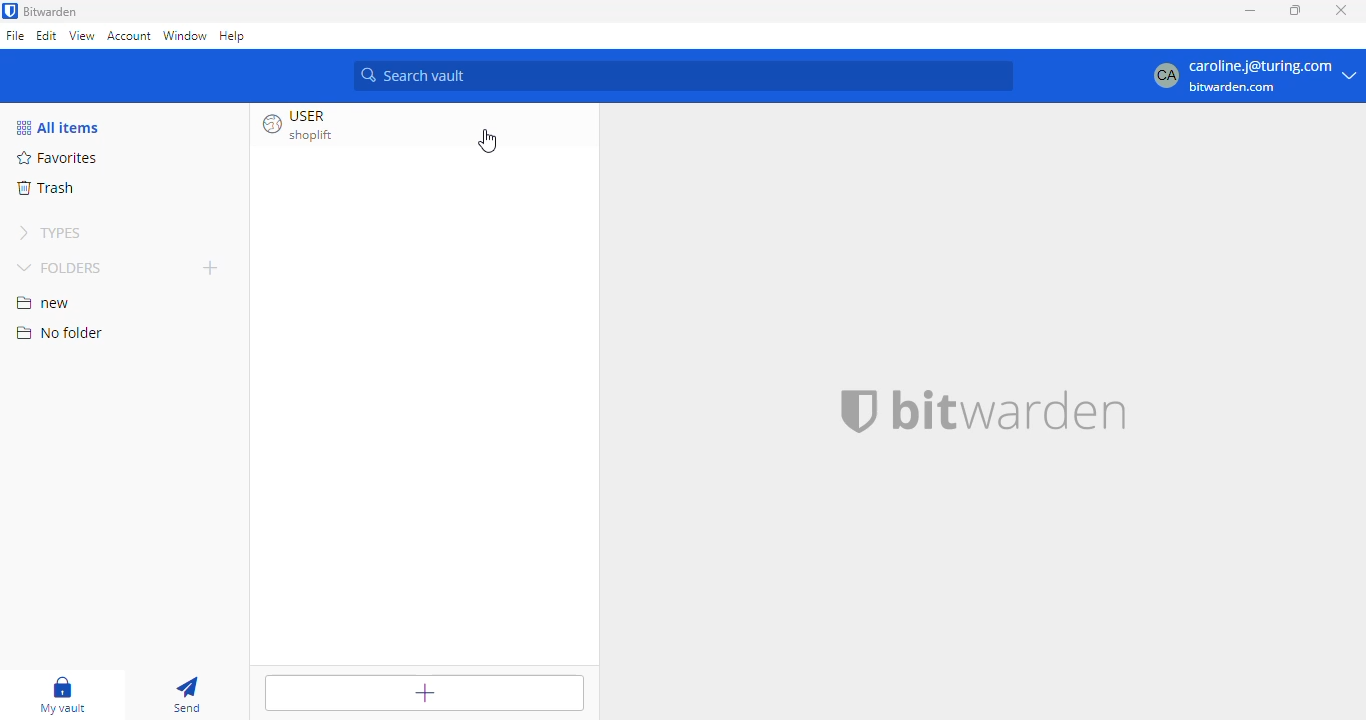 The image size is (1366, 720). Describe the element at coordinates (985, 411) in the screenshot. I see `bitwarden` at that location.